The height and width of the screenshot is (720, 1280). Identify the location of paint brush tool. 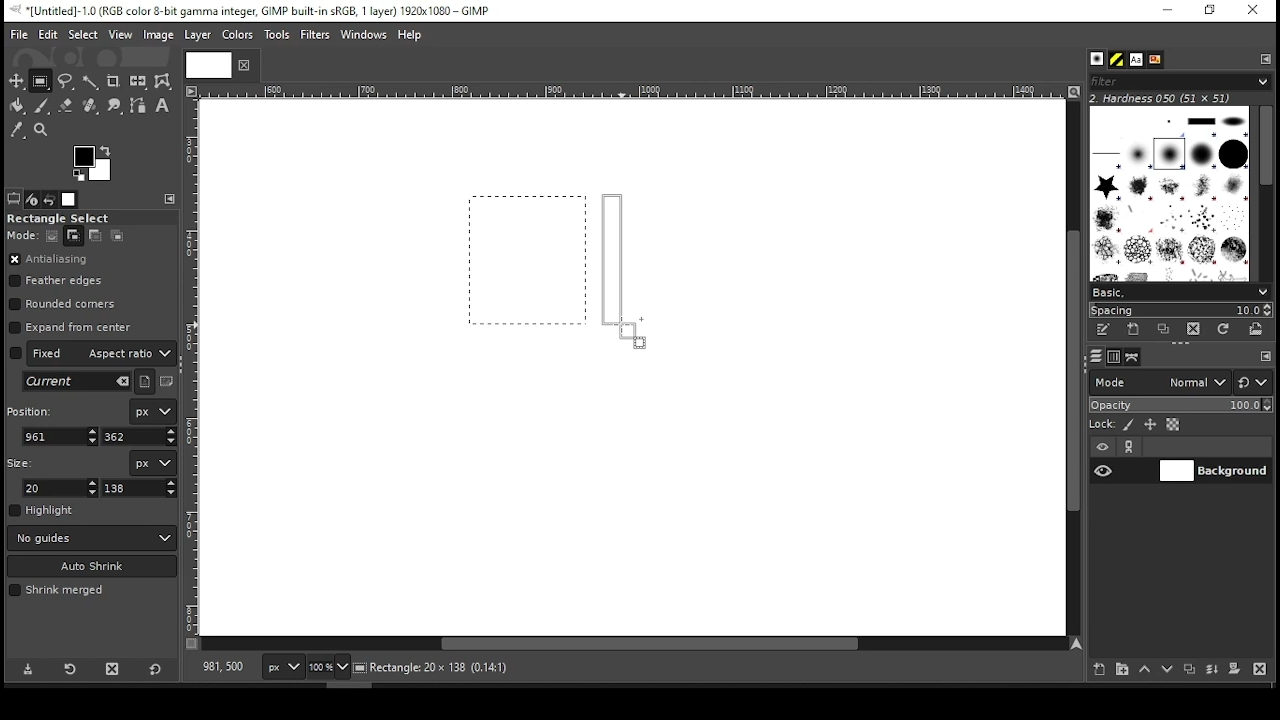
(42, 105).